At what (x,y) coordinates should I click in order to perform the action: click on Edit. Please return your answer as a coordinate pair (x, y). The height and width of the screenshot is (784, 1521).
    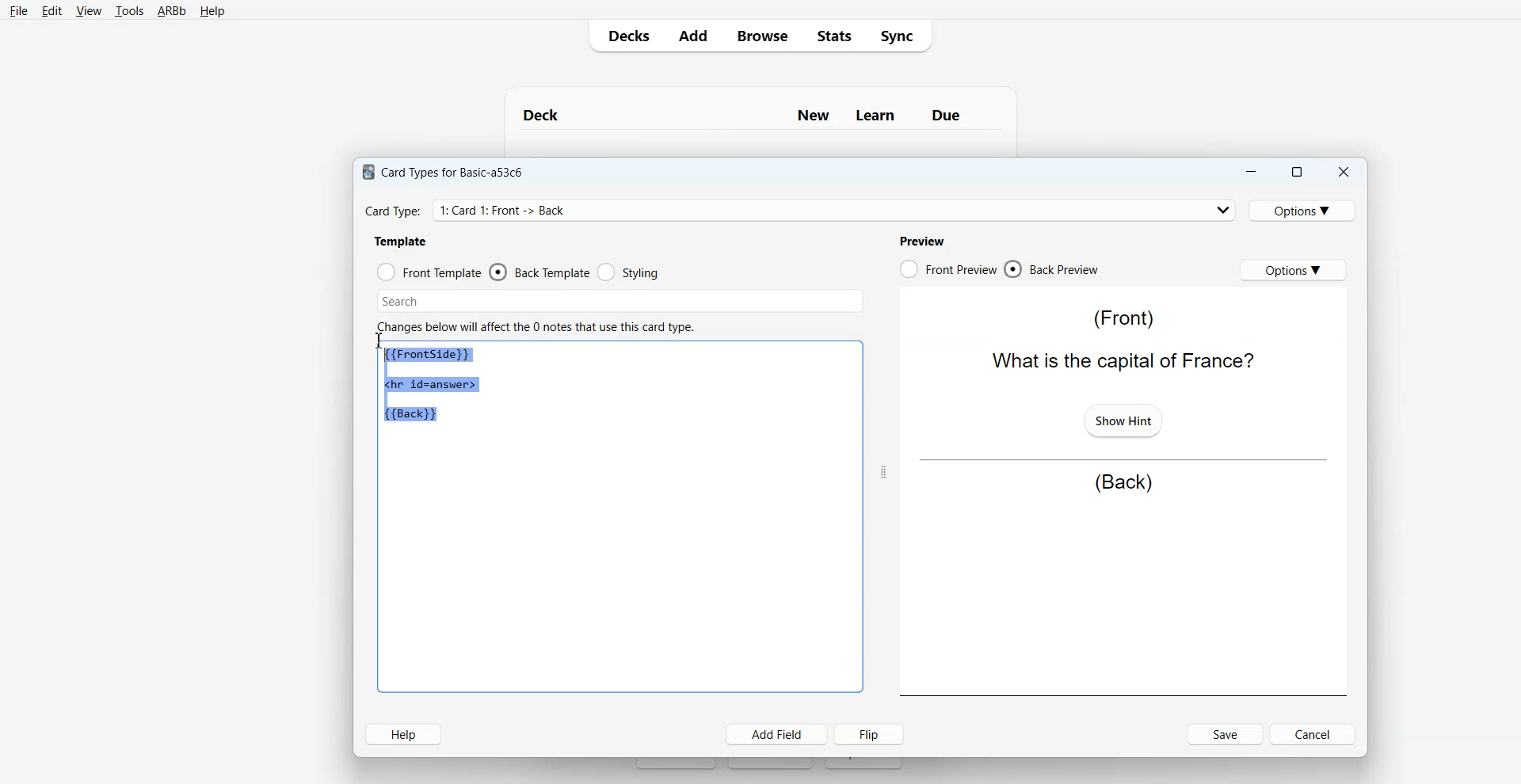
    Looking at the image, I should click on (52, 11).